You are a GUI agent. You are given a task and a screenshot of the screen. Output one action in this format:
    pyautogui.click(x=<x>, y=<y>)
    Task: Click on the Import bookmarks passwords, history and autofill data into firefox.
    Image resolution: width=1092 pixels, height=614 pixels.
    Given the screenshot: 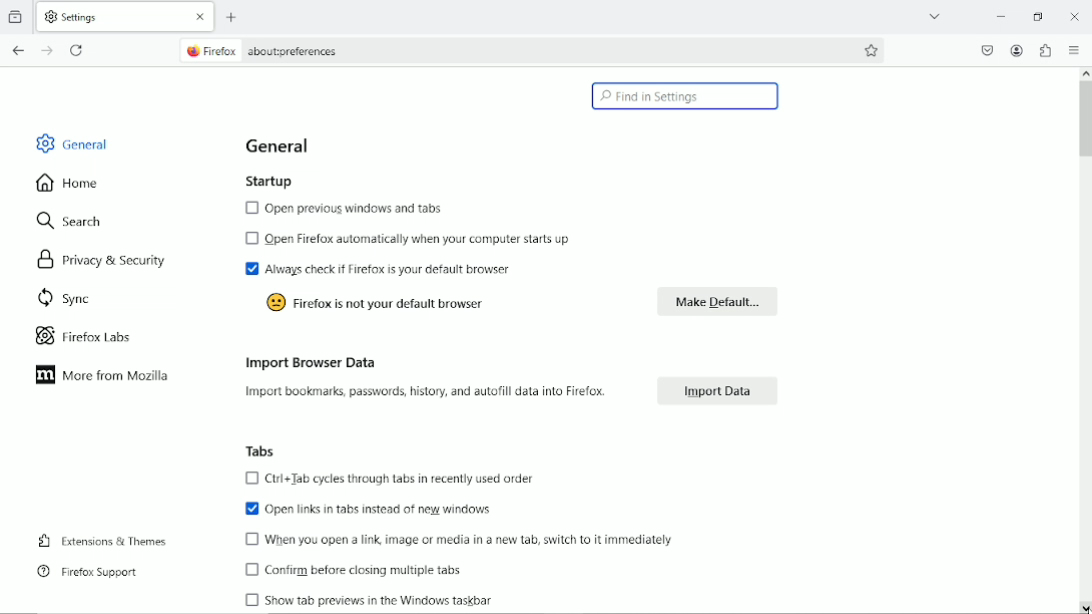 What is the action you would take?
    pyautogui.click(x=429, y=394)
    